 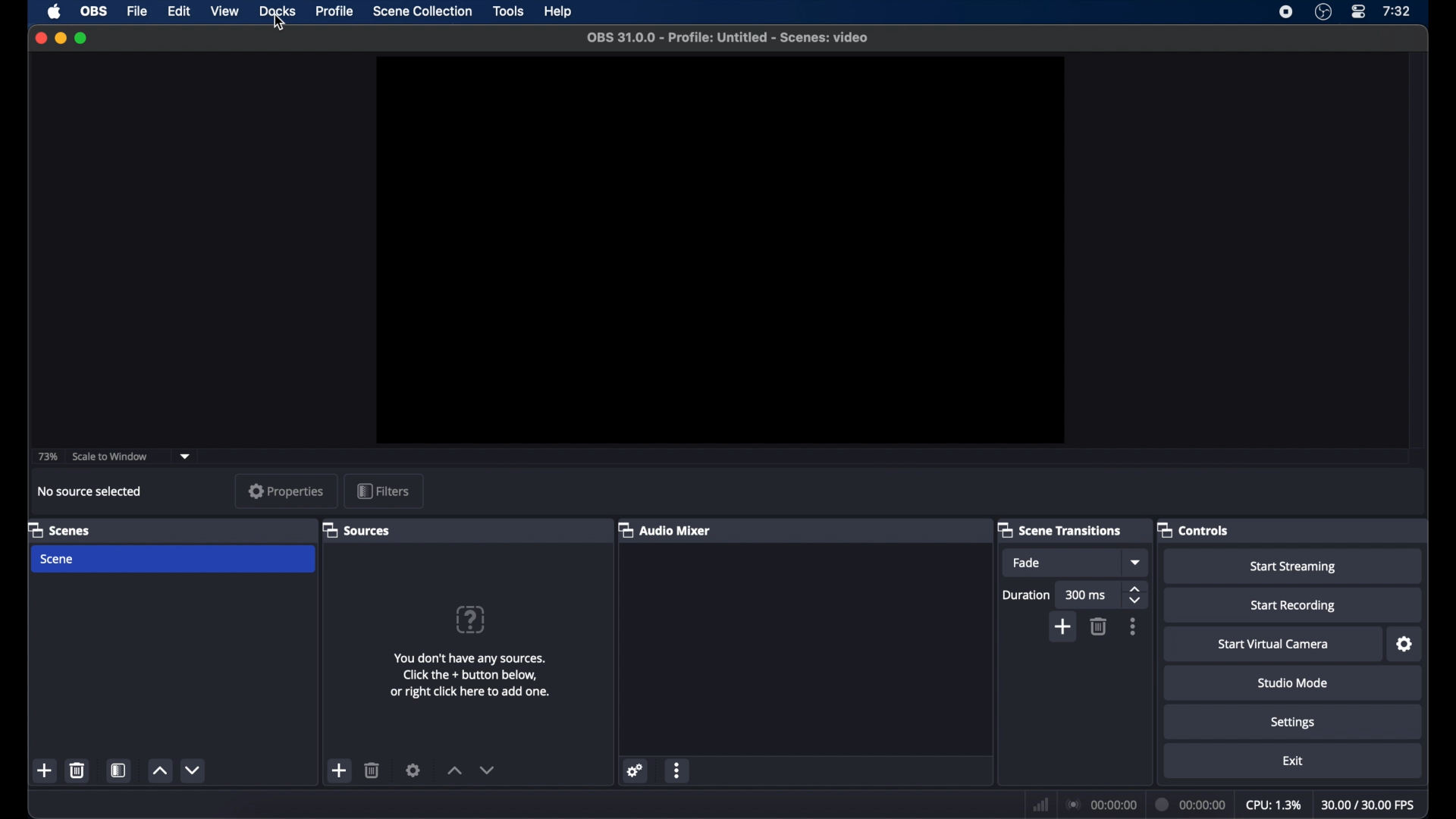 What do you see at coordinates (1064, 626) in the screenshot?
I see `add` at bounding box center [1064, 626].